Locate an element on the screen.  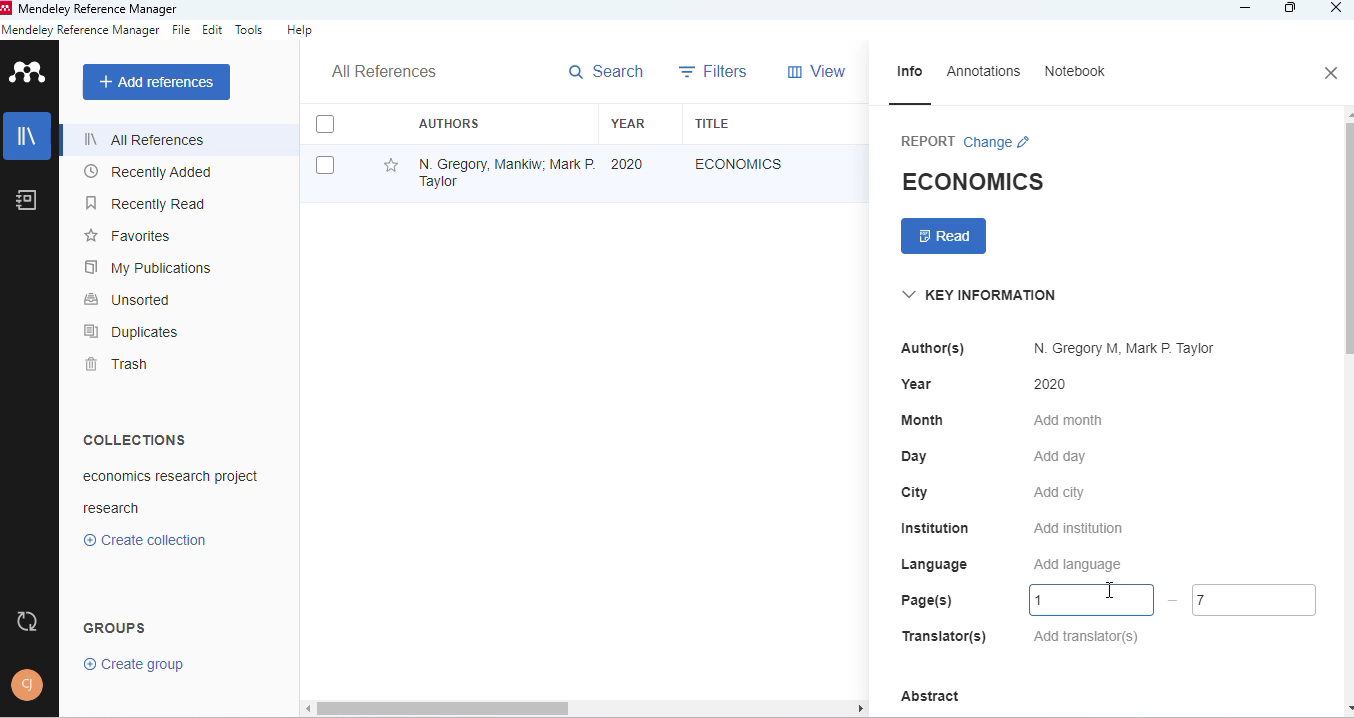
translator(s) is located at coordinates (944, 635).